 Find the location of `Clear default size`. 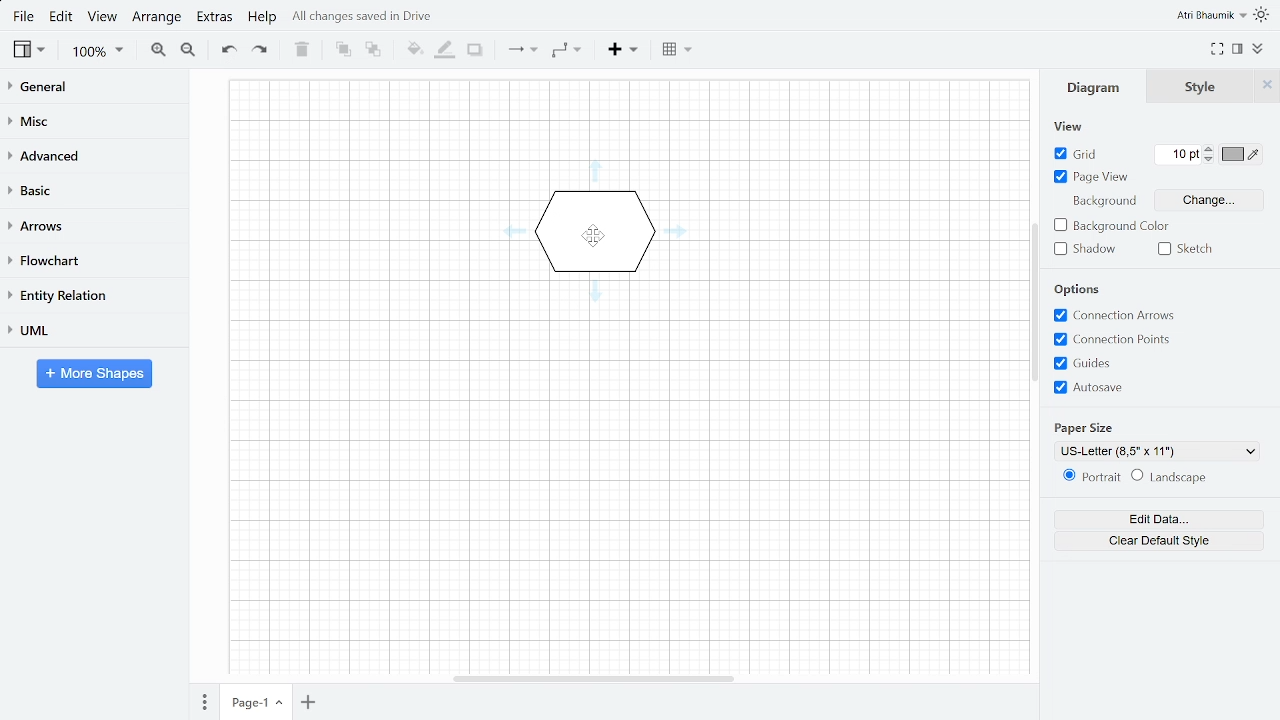

Clear default size is located at coordinates (1158, 542).